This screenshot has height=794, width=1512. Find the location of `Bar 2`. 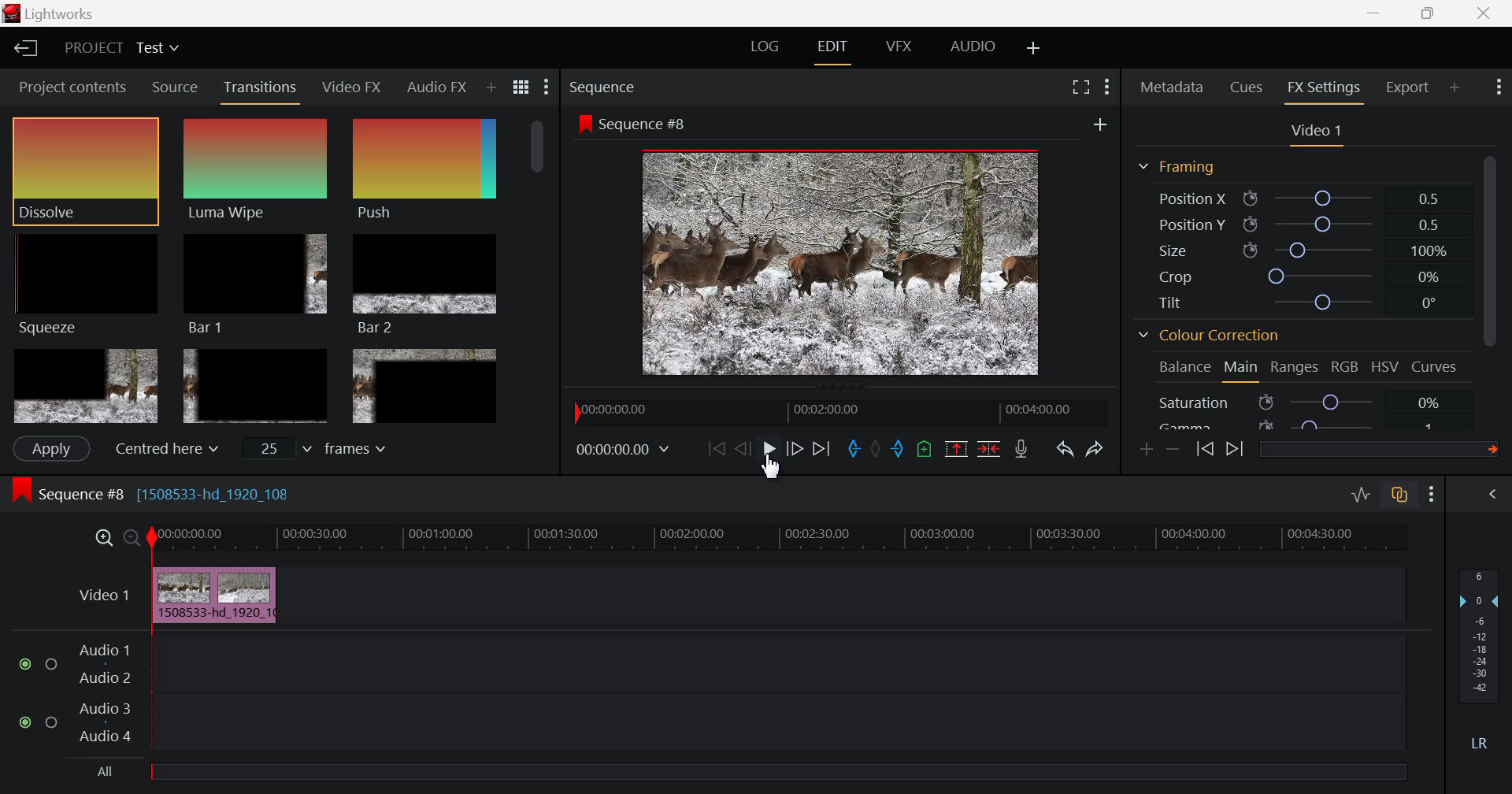

Bar 2 is located at coordinates (426, 284).